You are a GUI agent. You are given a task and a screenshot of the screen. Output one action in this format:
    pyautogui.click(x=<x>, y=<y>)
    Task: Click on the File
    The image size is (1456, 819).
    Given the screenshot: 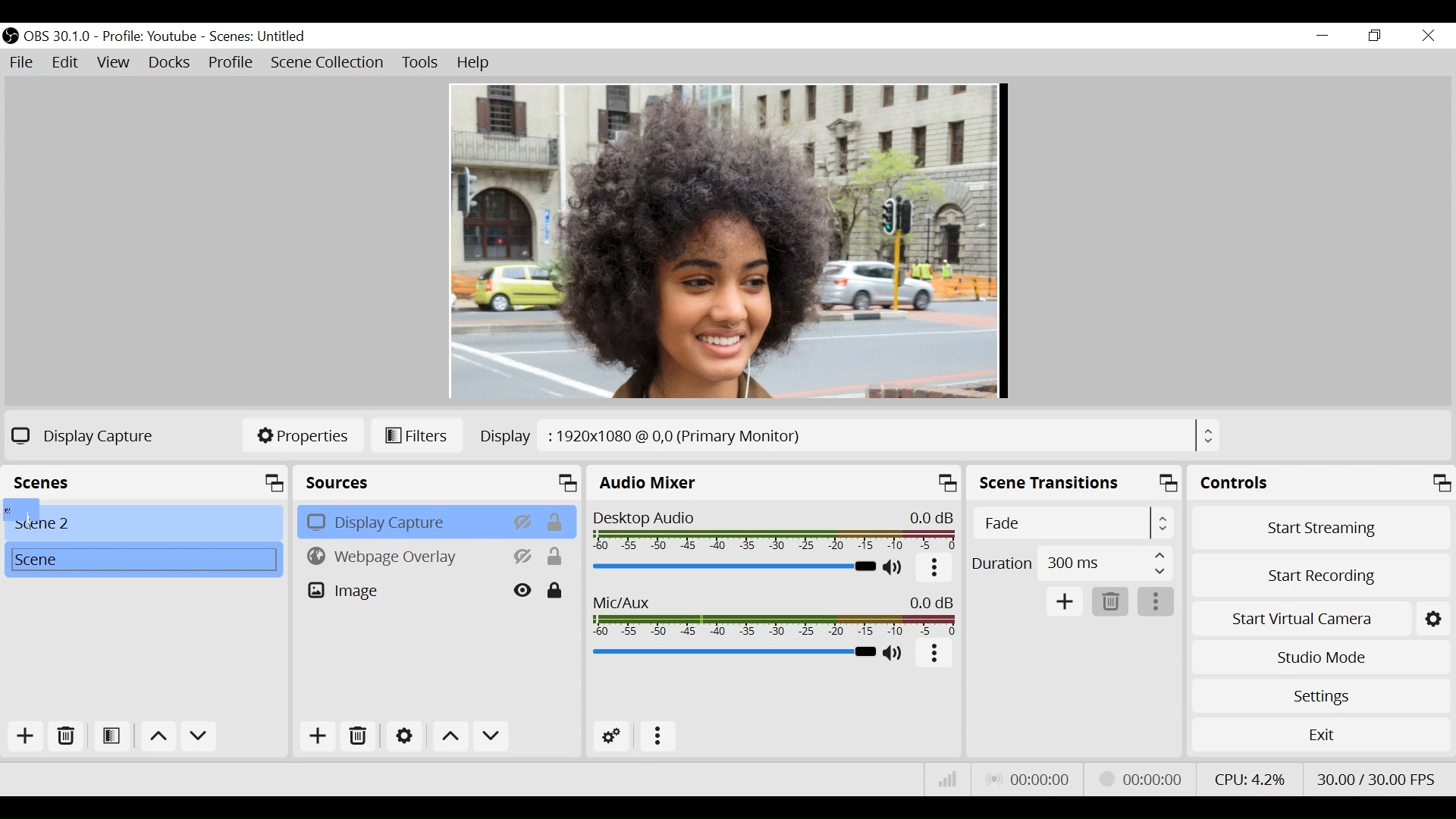 What is the action you would take?
    pyautogui.click(x=24, y=63)
    